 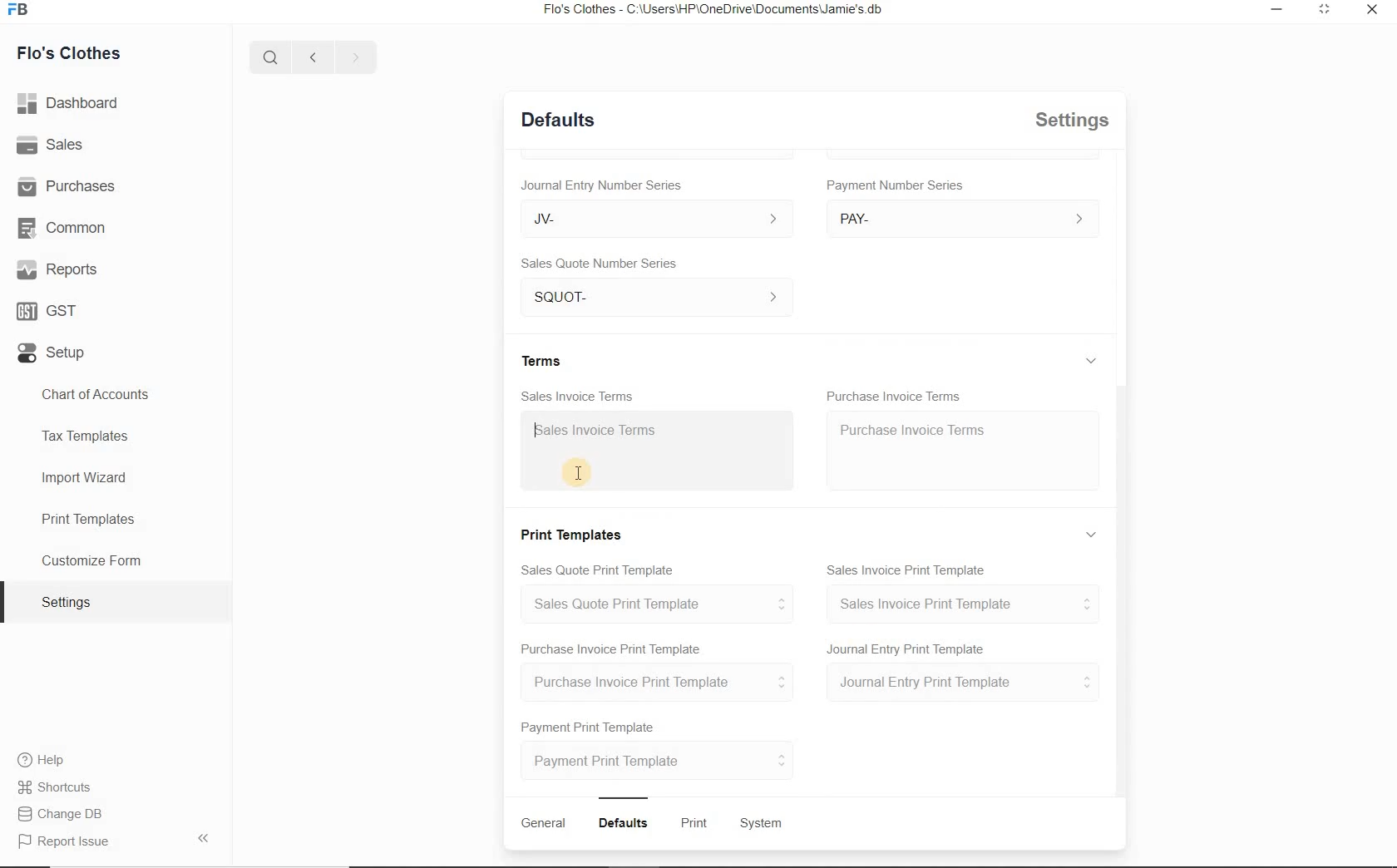 I want to click on Logo, so click(x=20, y=9).